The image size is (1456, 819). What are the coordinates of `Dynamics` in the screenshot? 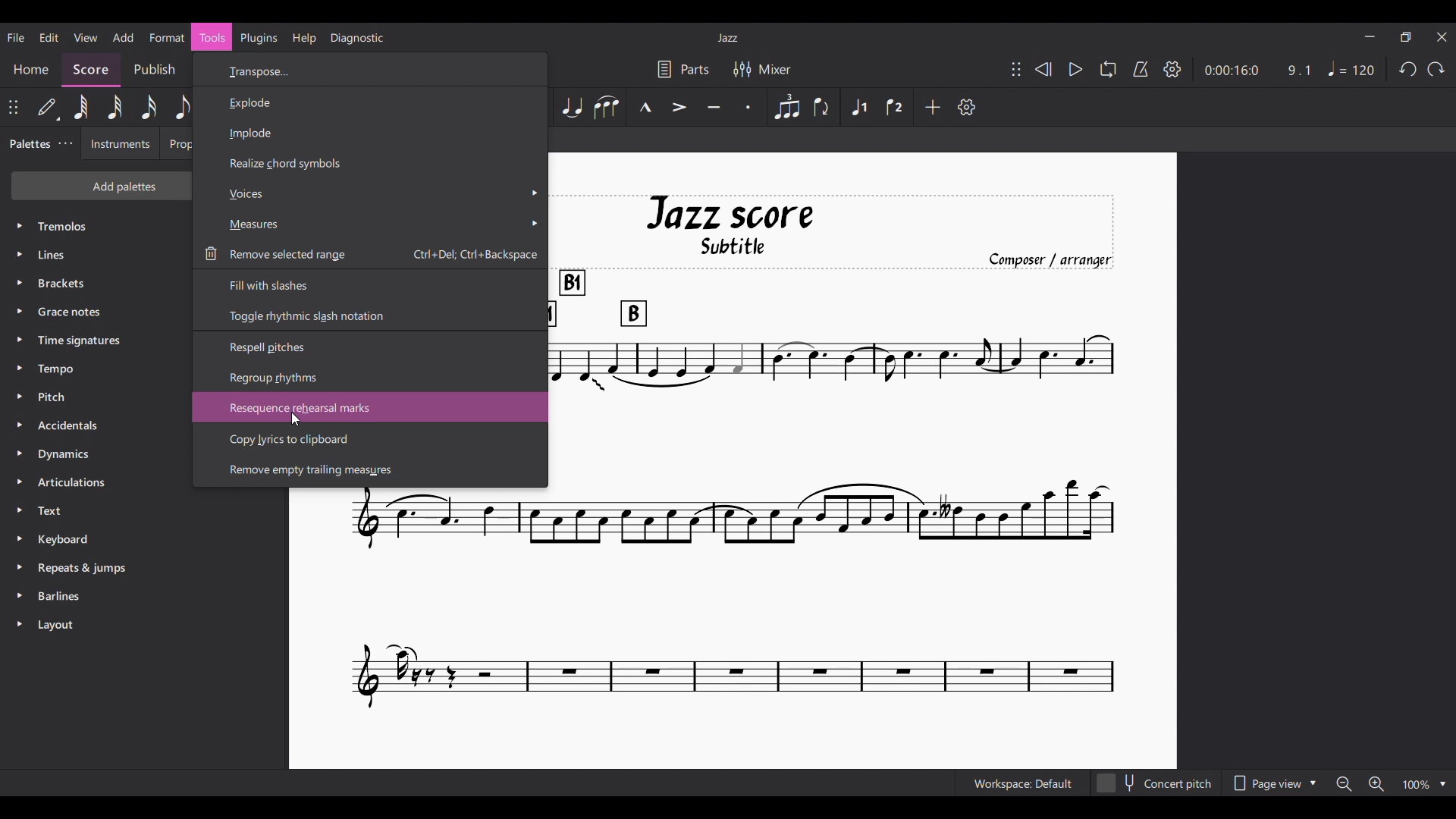 It's located at (96, 454).